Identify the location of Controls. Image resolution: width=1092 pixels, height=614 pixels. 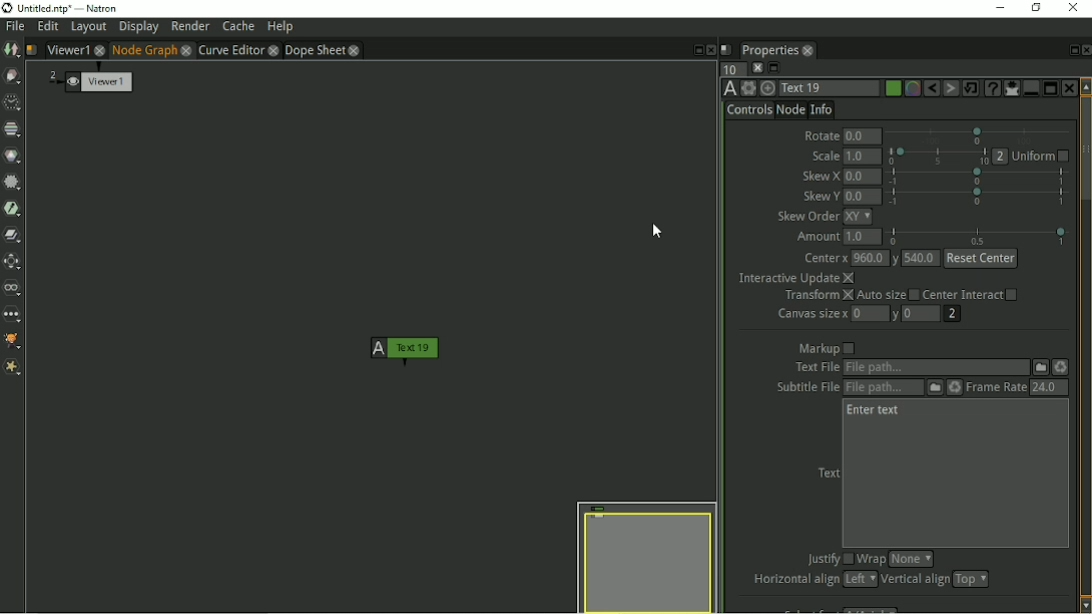
(749, 111).